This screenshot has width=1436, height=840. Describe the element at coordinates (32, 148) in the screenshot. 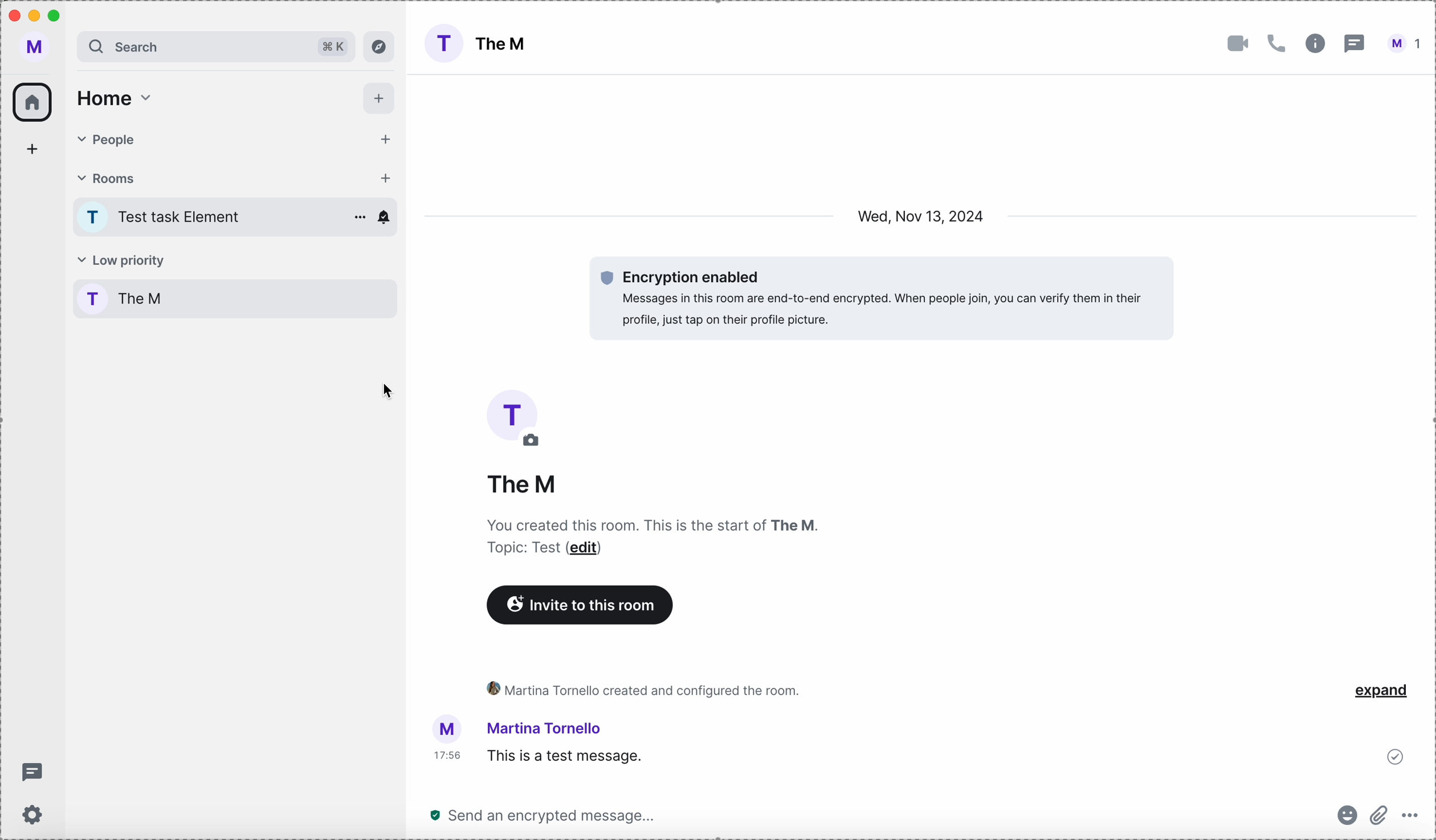

I see `add` at that location.